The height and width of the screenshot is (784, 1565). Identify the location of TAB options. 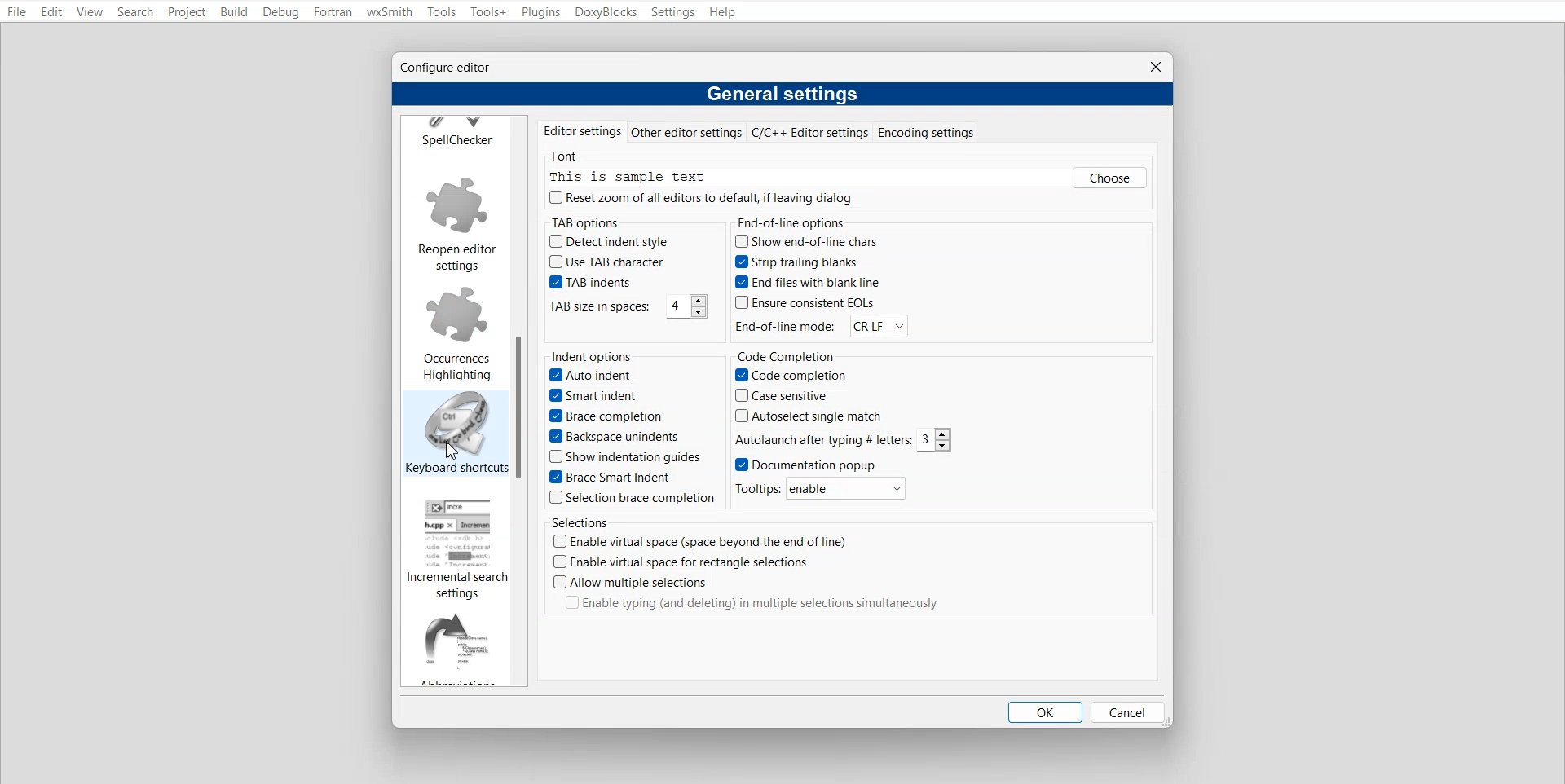
(583, 221).